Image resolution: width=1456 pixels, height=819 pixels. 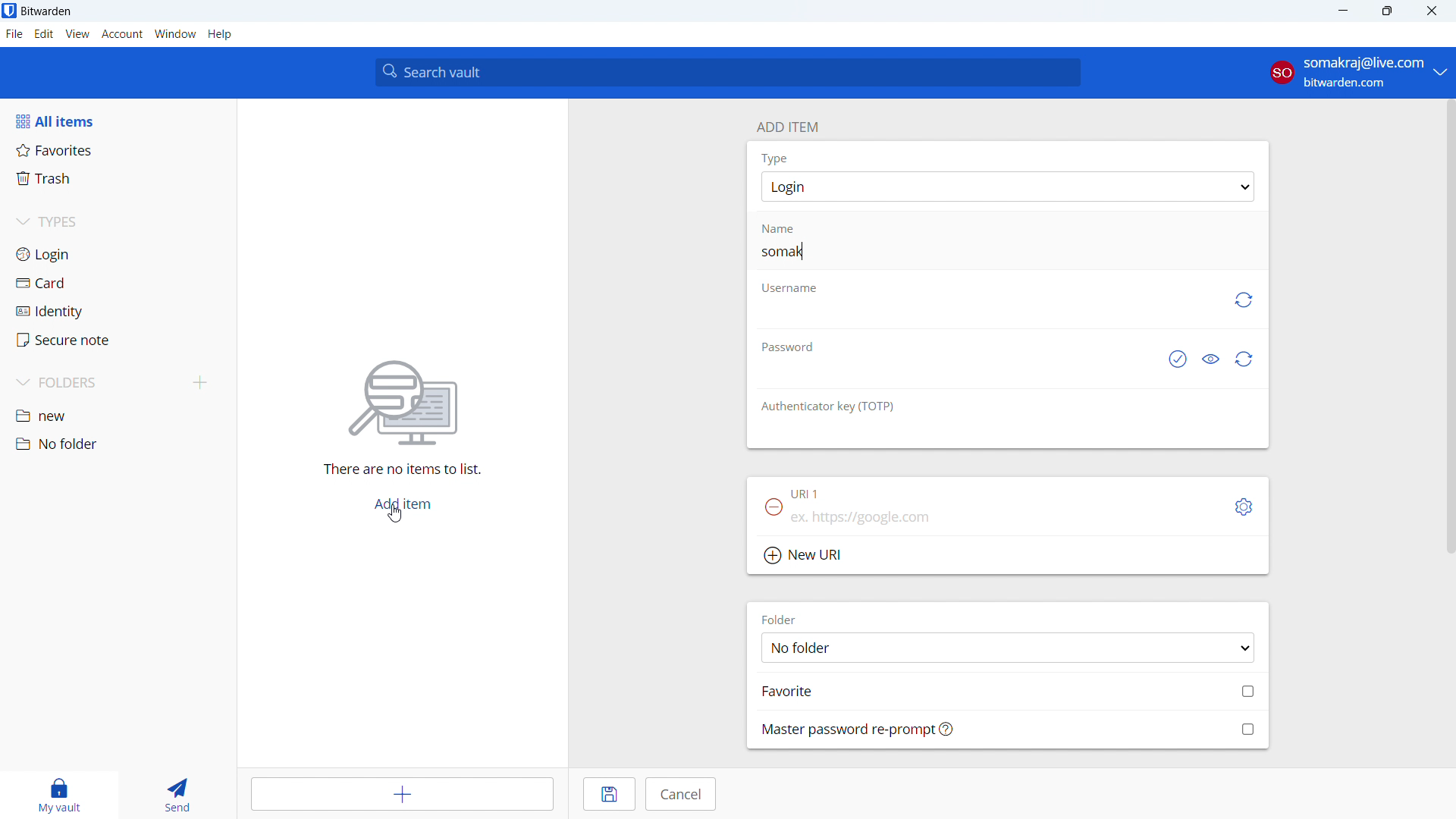 I want to click on search vault, so click(x=727, y=72).